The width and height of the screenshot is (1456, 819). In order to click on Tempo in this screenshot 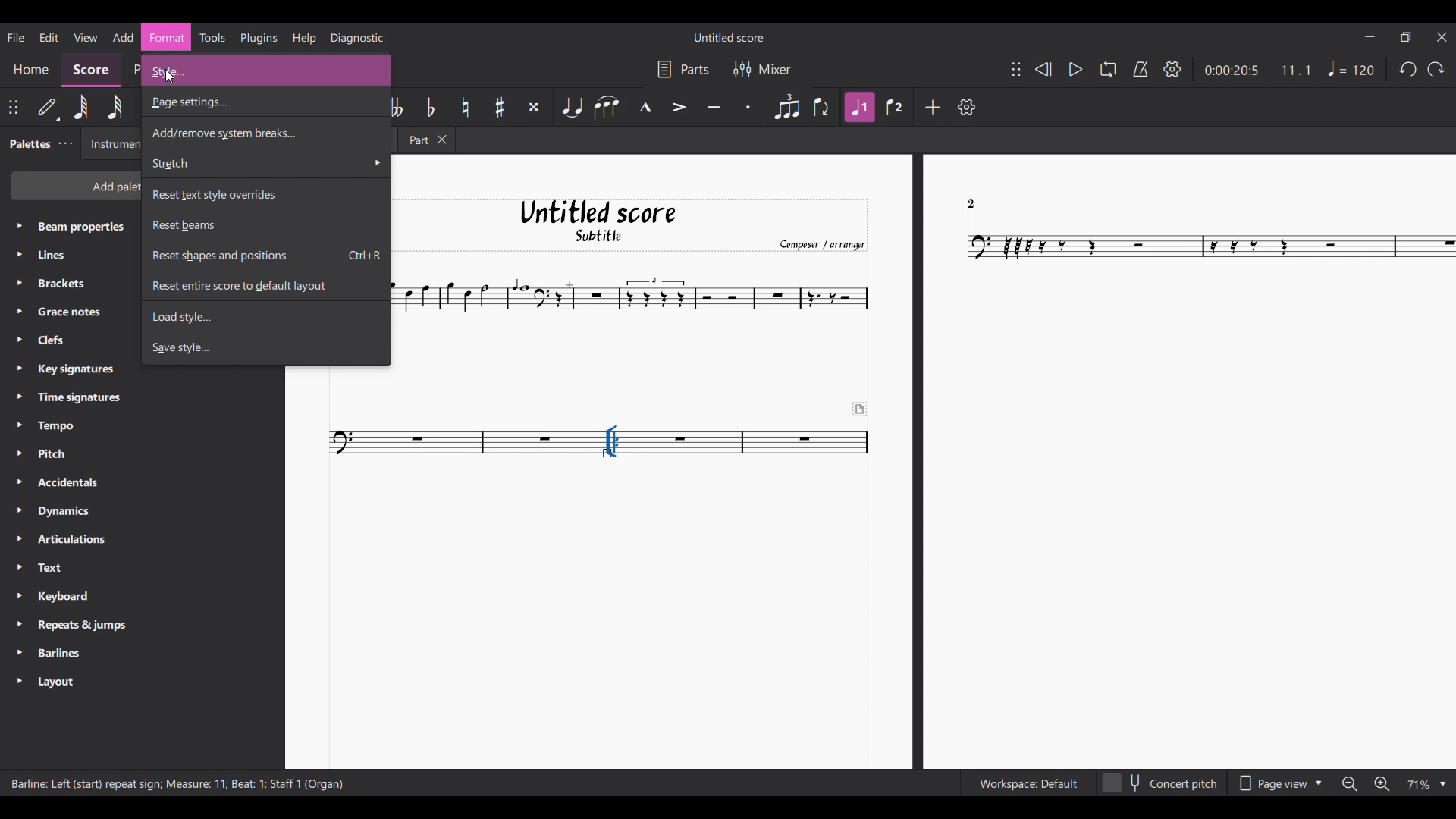, I will do `click(1351, 68)`.